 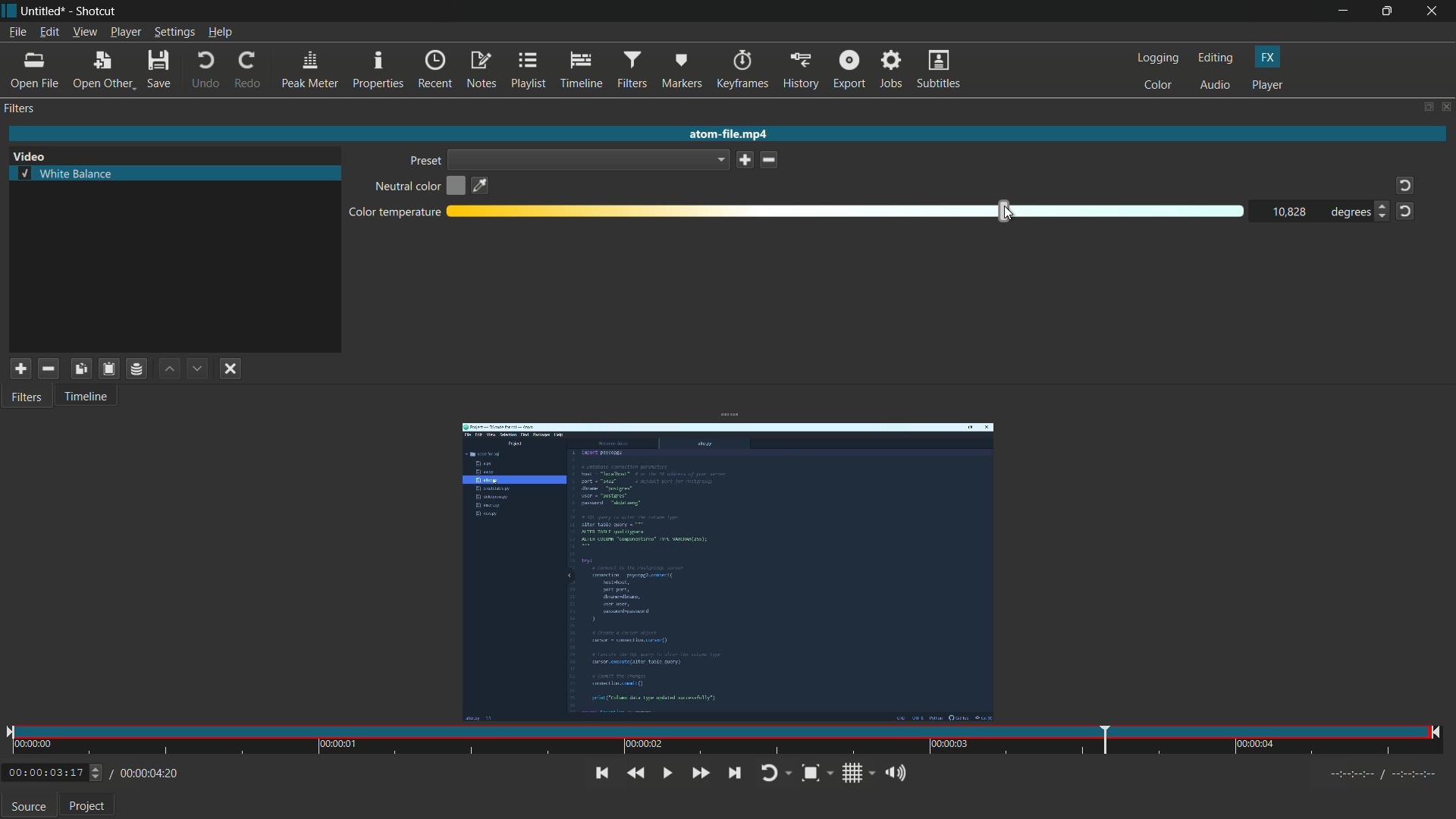 I want to click on reset tot default, so click(x=1402, y=186).